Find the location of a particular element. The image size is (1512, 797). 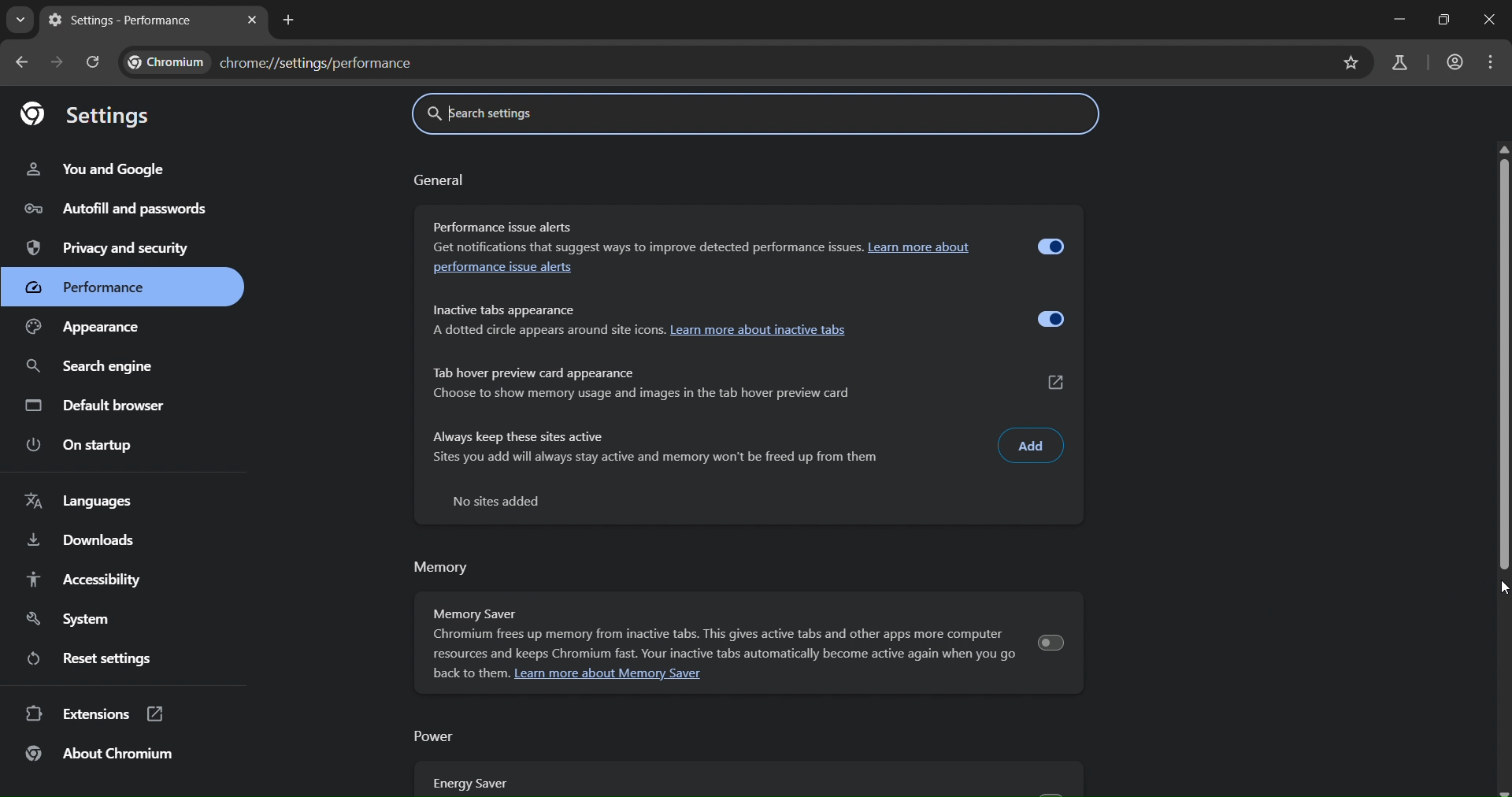

accessibility is located at coordinates (89, 579).